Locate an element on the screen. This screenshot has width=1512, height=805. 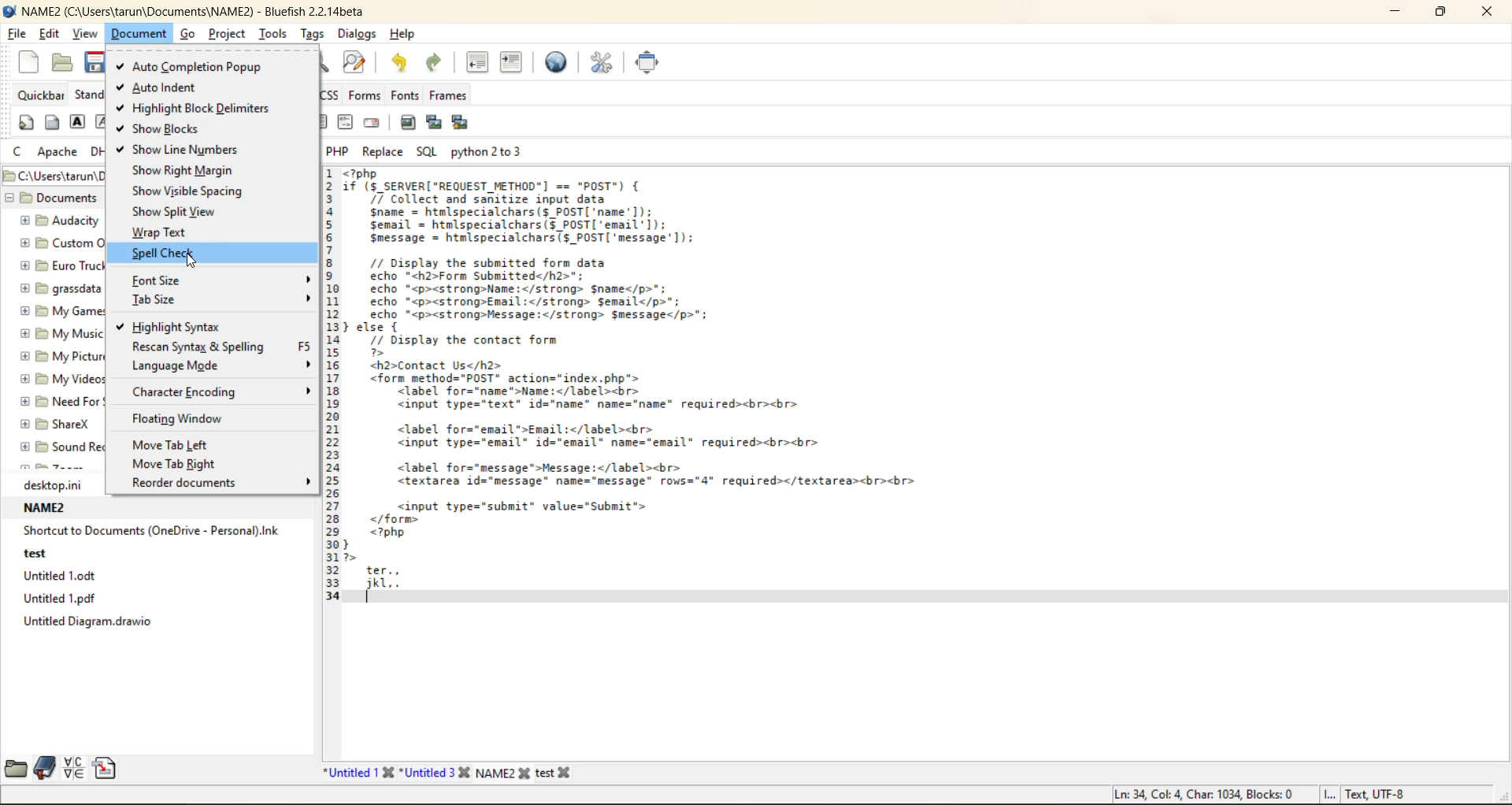
floating window is located at coordinates (178, 418).